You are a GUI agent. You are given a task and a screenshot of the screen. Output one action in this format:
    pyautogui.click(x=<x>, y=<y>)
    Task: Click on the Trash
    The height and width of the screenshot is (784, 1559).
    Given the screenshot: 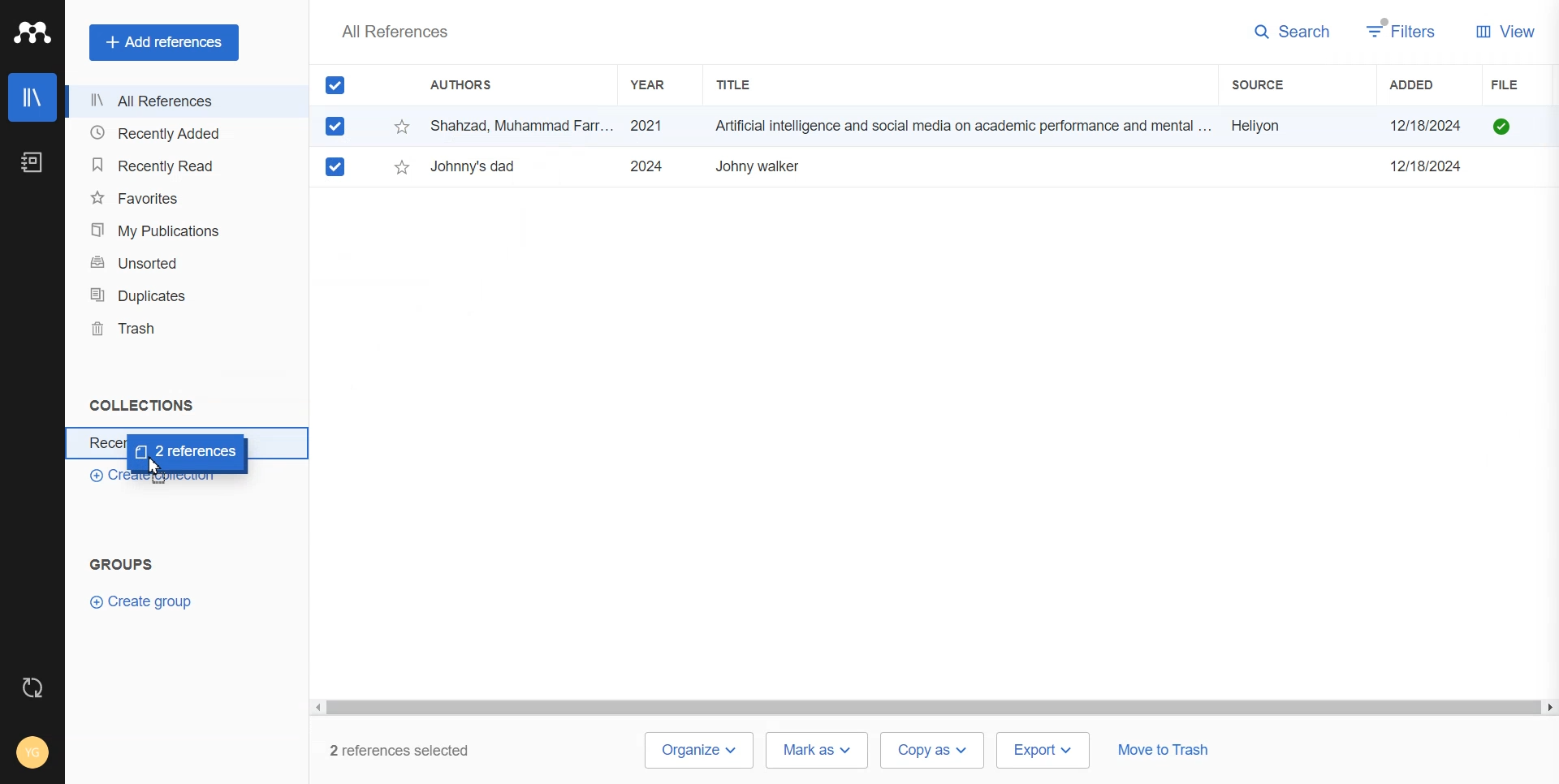 What is the action you would take?
    pyautogui.click(x=180, y=328)
    